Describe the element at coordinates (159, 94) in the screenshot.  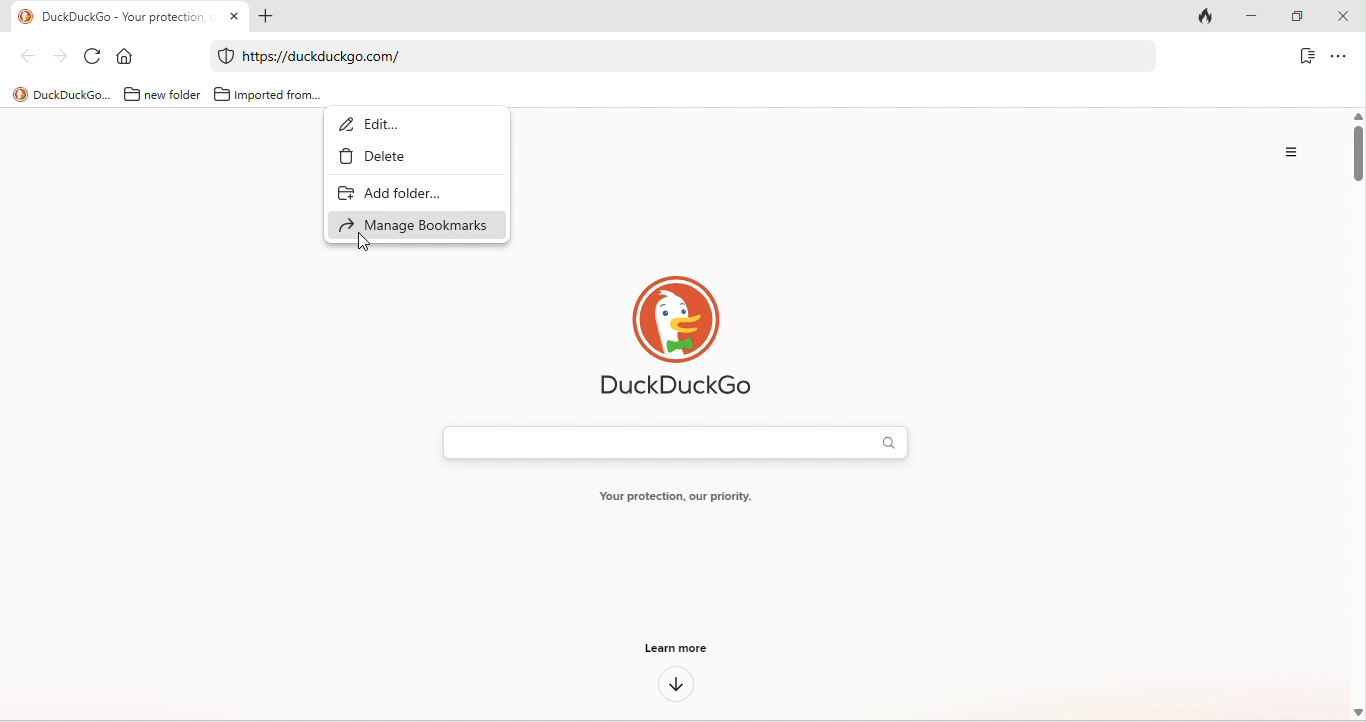
I see `new folder` at that location.